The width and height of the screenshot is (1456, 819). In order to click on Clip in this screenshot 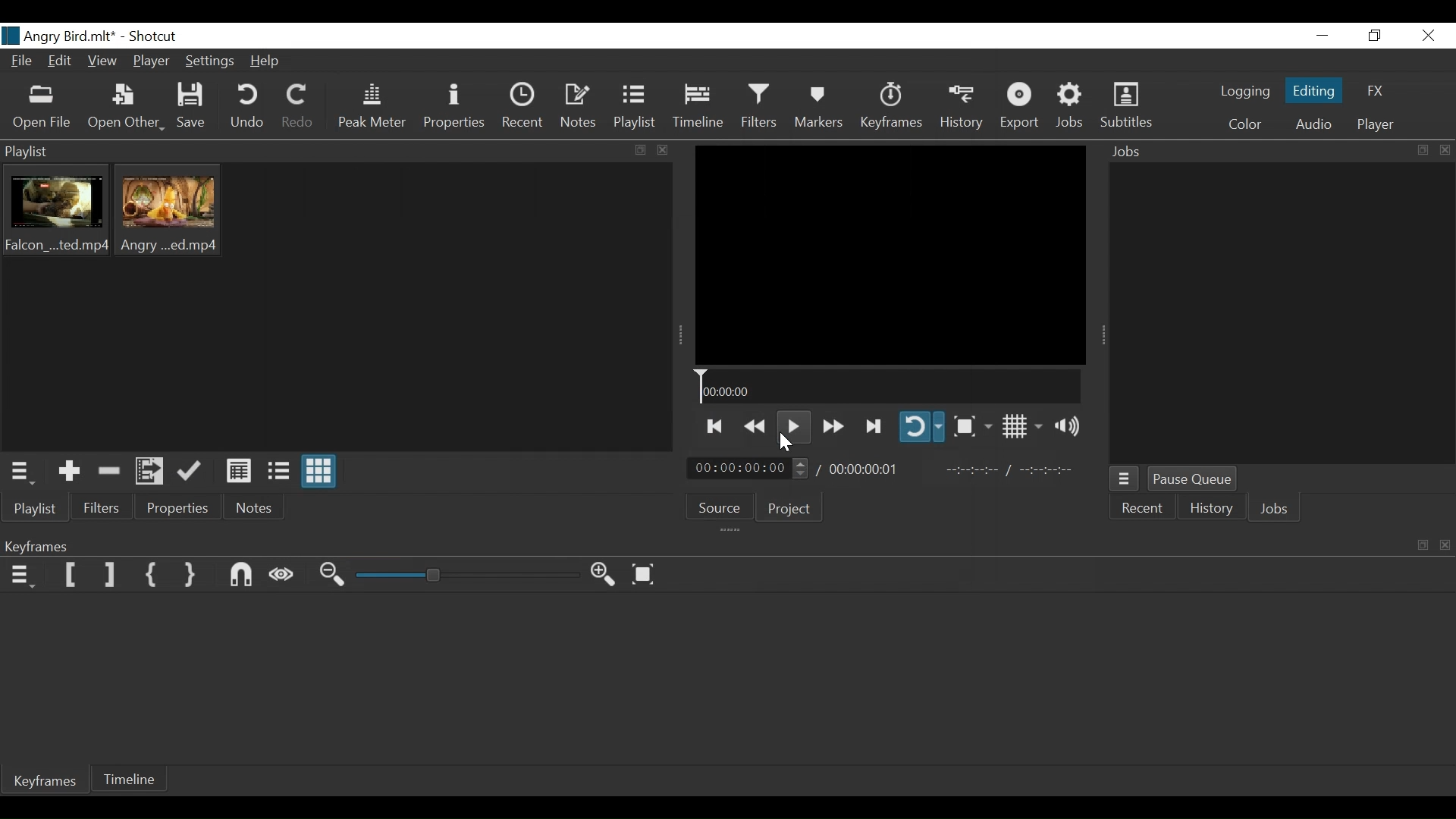, I will do `click(166, 212)`.